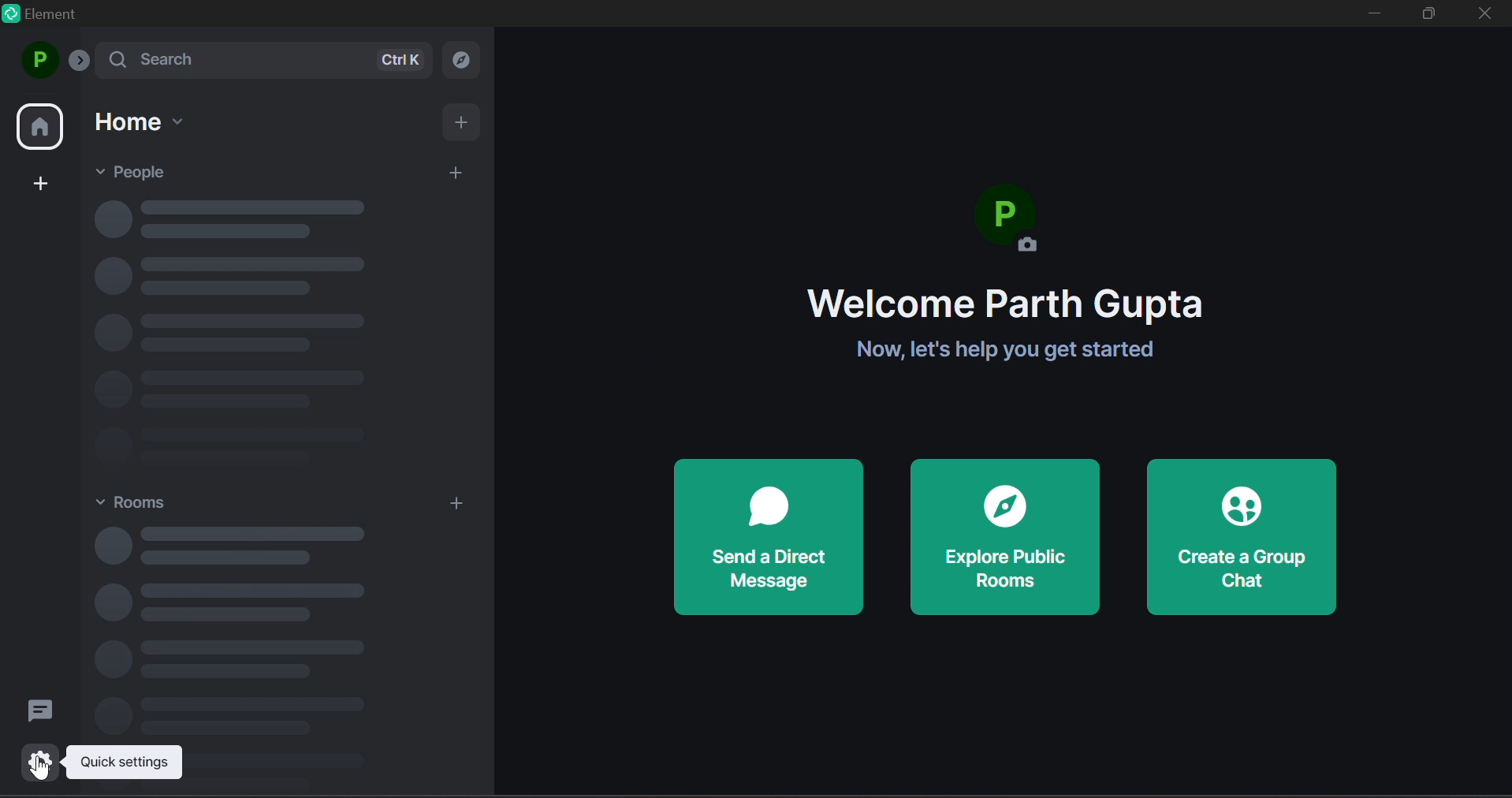  Describe the element at coordinates (1243, 538) in the screenshot. I see `create a group chat` at that location.